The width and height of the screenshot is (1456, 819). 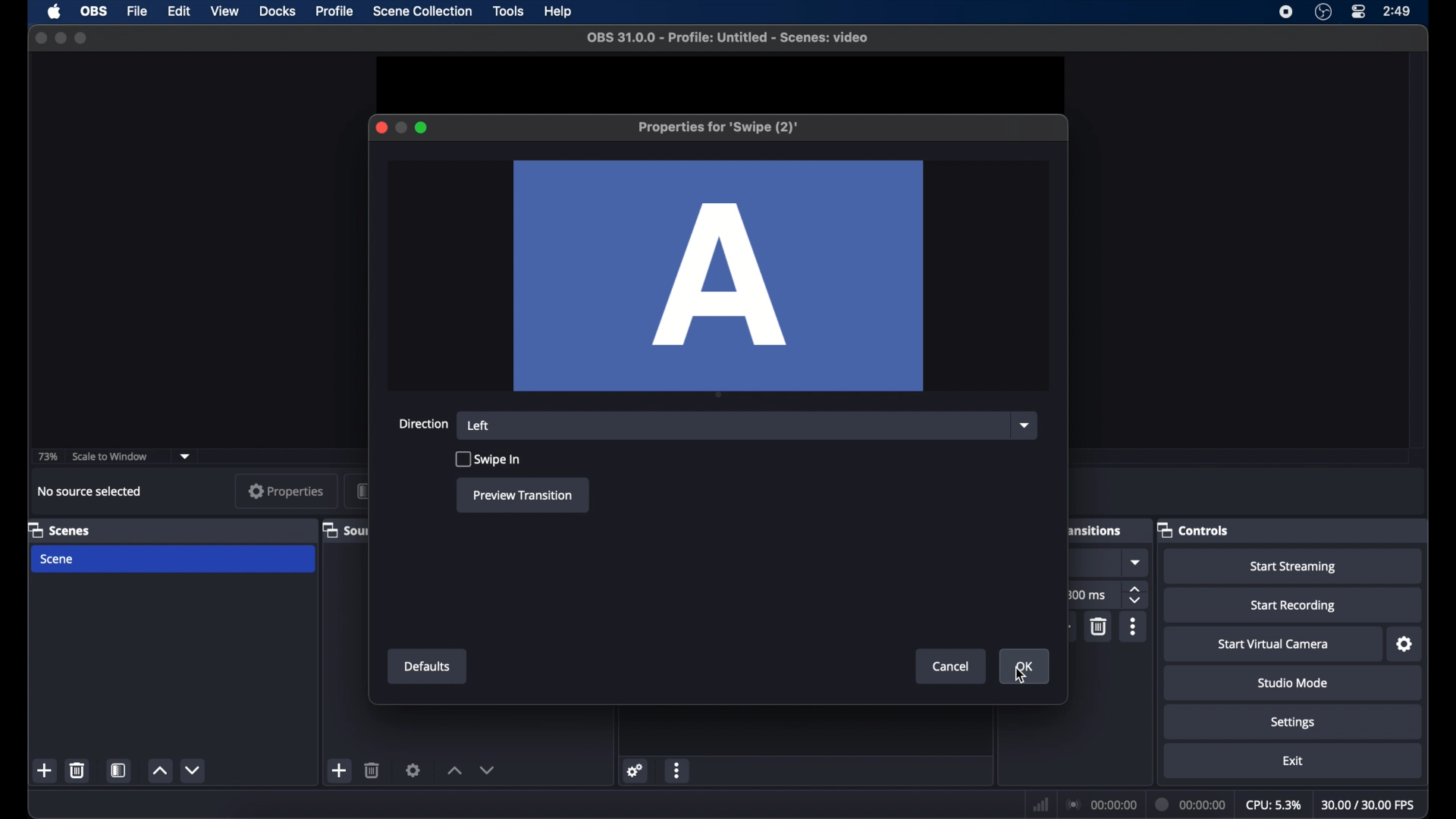 What do you see at coordinates (1195, 531) in the screenshot?
I see `controls` at bounding box center [1195, 531].